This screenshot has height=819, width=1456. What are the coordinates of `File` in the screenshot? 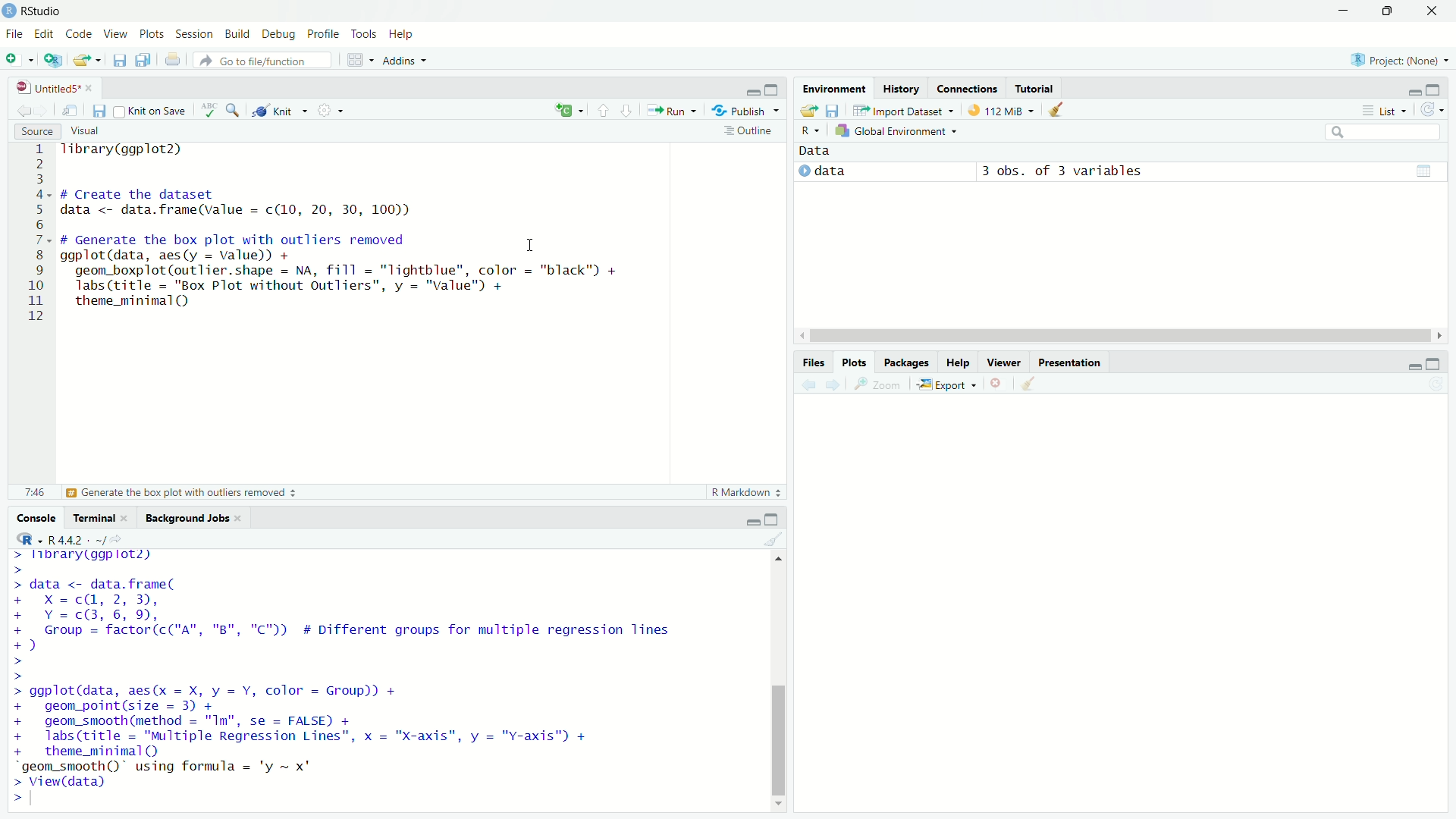 It's located at (13, 35).